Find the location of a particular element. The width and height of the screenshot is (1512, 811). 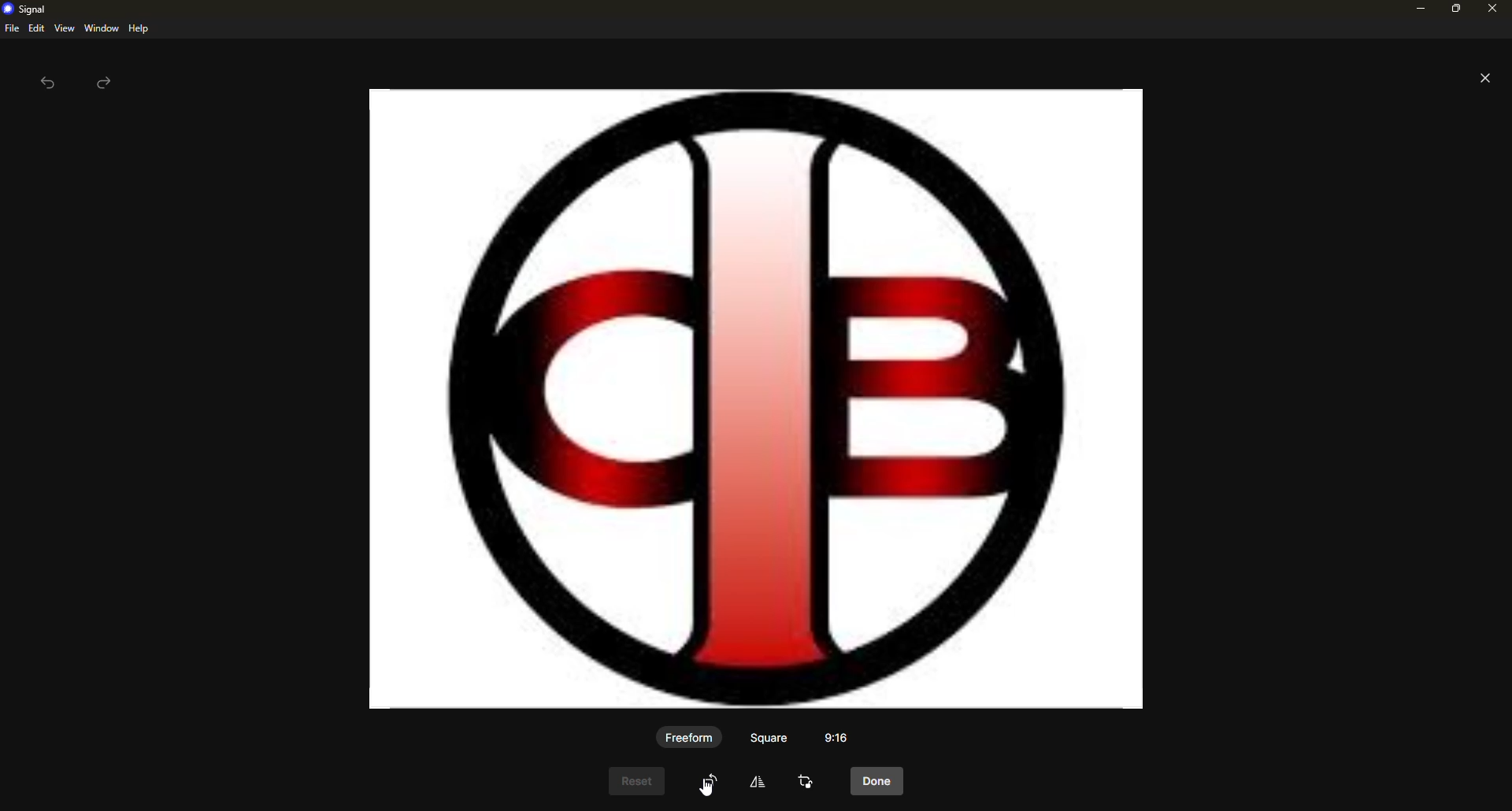

minimize is located at coordinates (1414, 8).